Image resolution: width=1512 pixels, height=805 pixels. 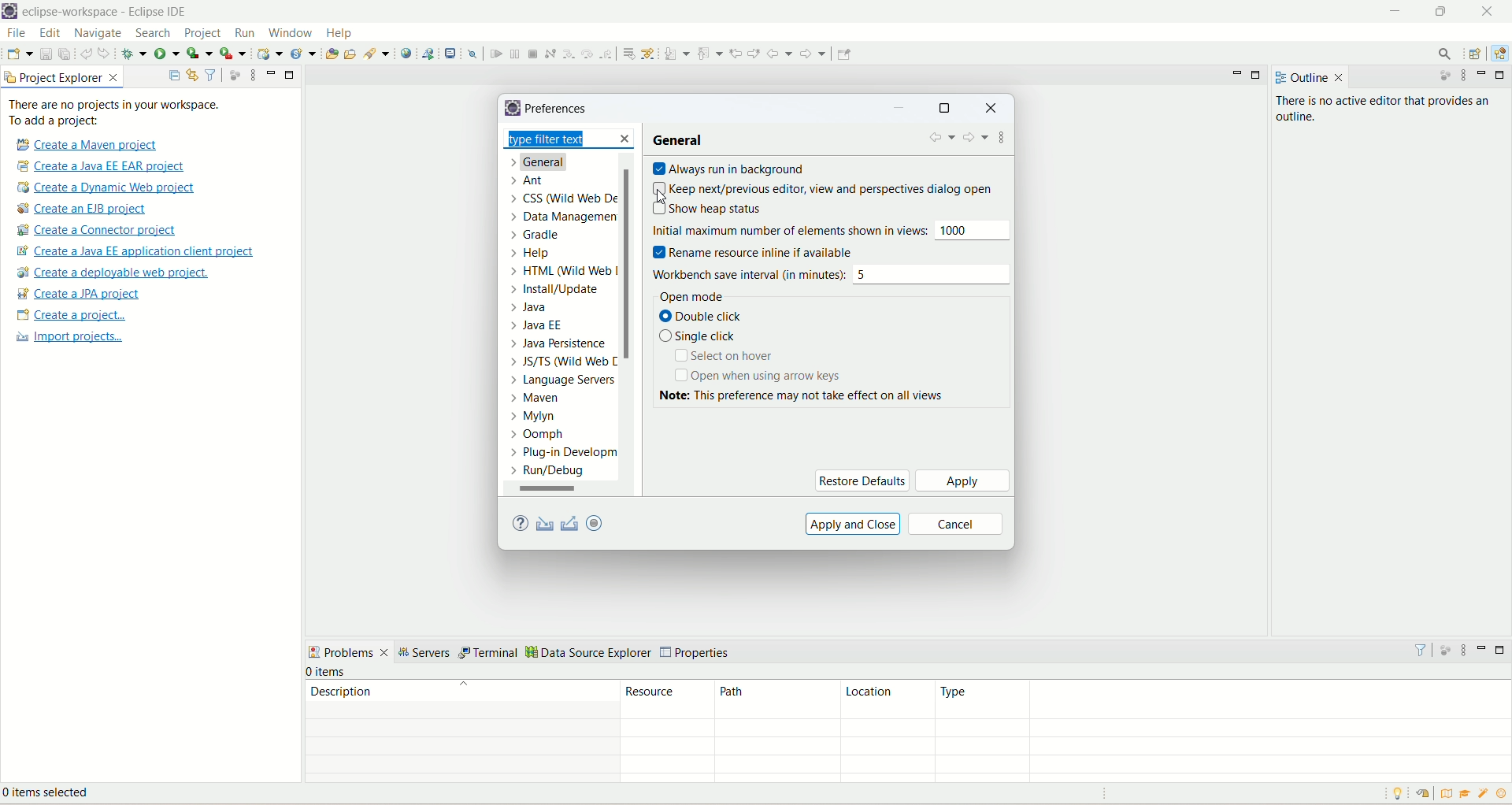 What do you see at coordinates (155, 34) in the screenshot?
I see `search` at bounding box center [155, 34].